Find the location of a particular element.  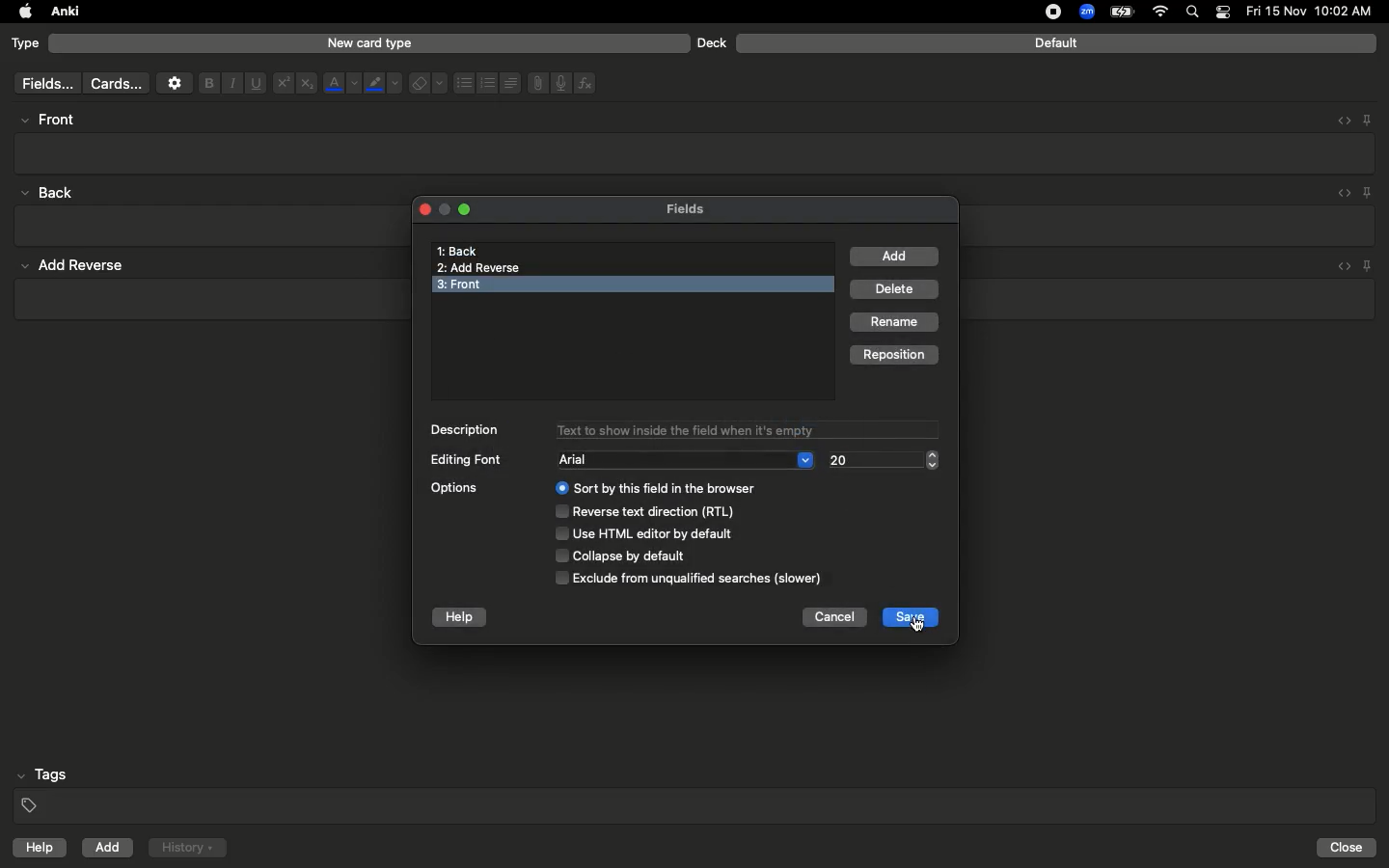

Fields is located at coordinates (697, 208).